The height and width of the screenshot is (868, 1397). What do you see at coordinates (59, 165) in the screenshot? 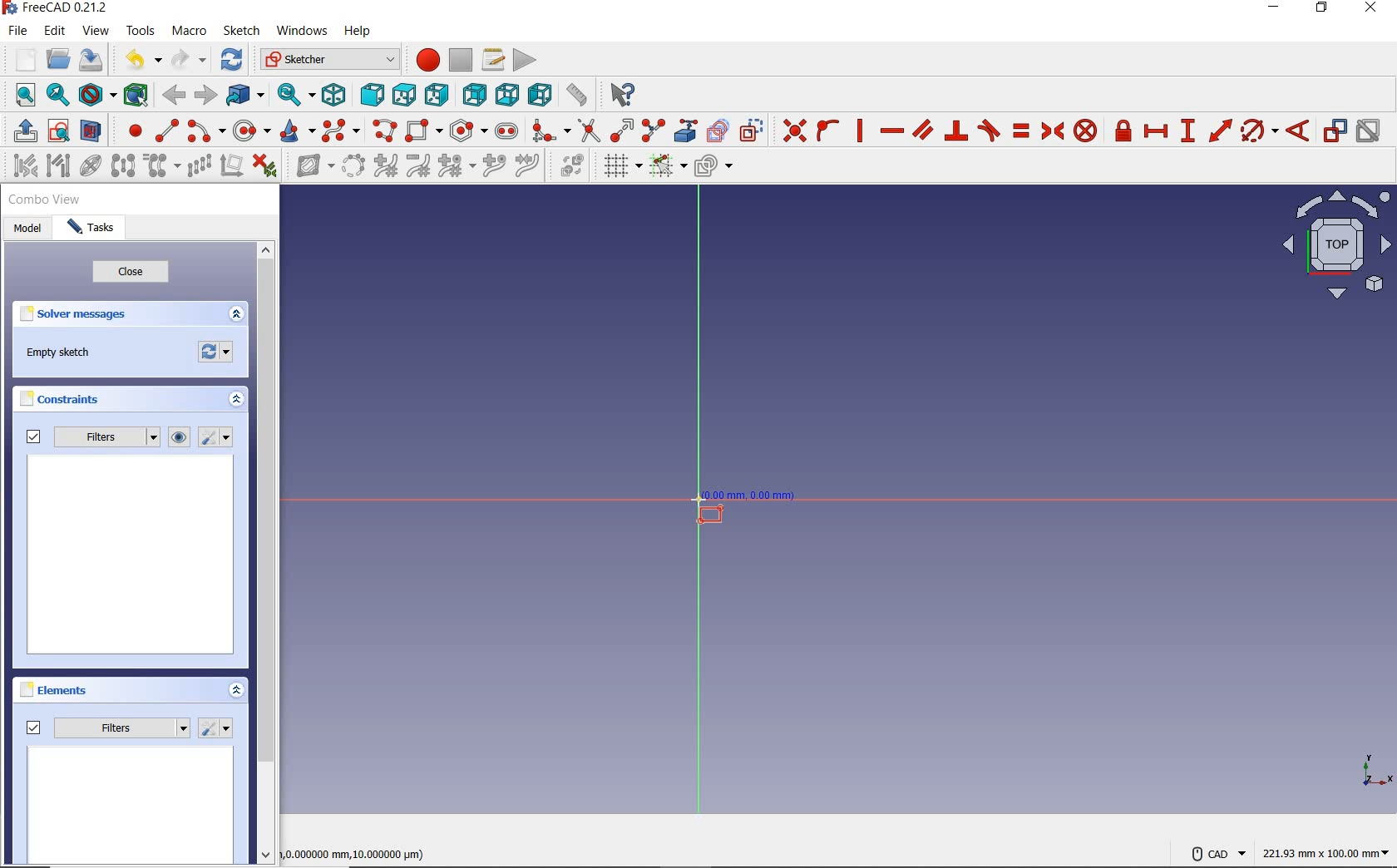
I see `select associated geometry` at bounding box center [59, 165].